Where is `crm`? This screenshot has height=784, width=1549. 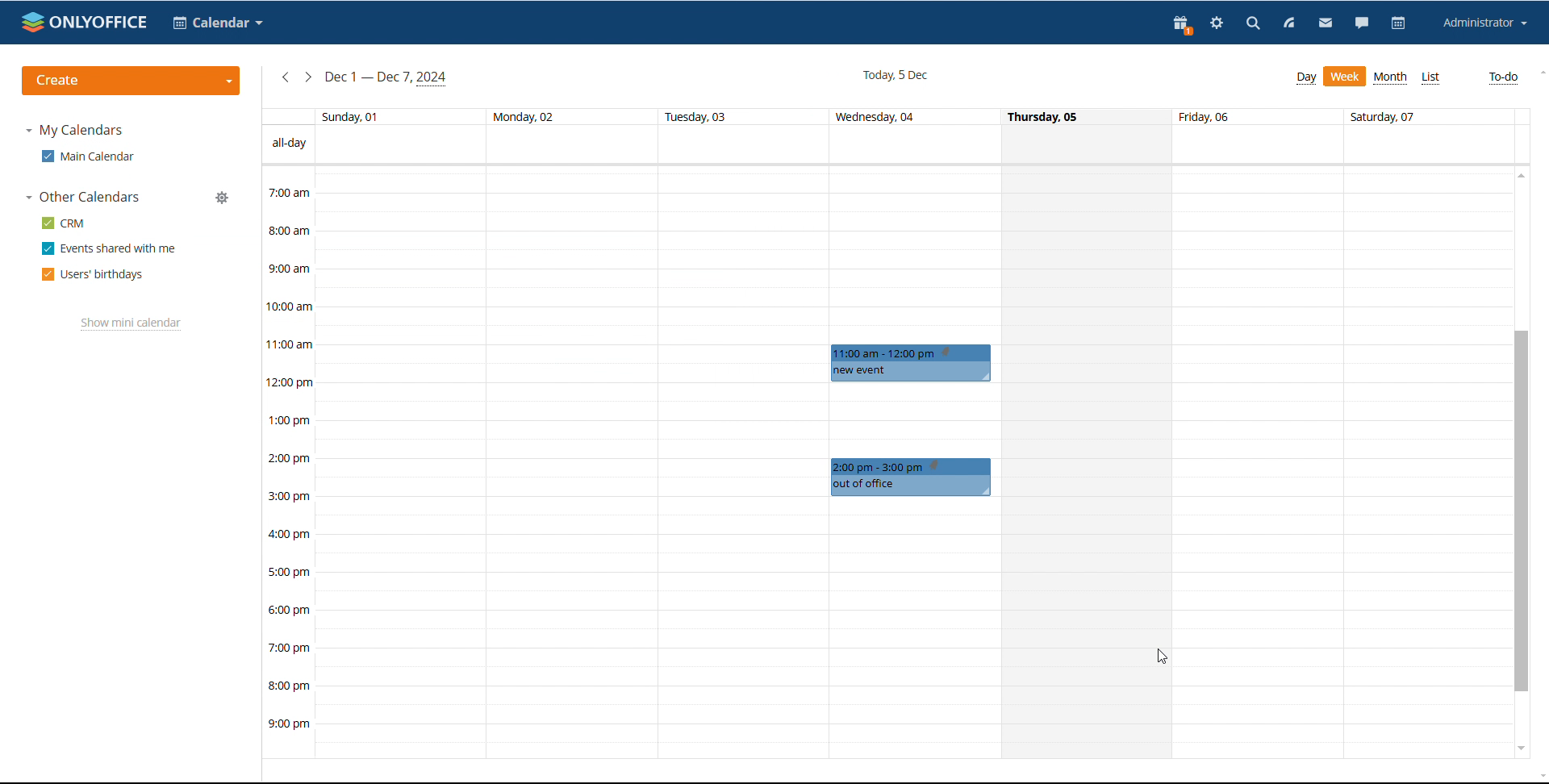
crm is located at coordinates (65, 222).